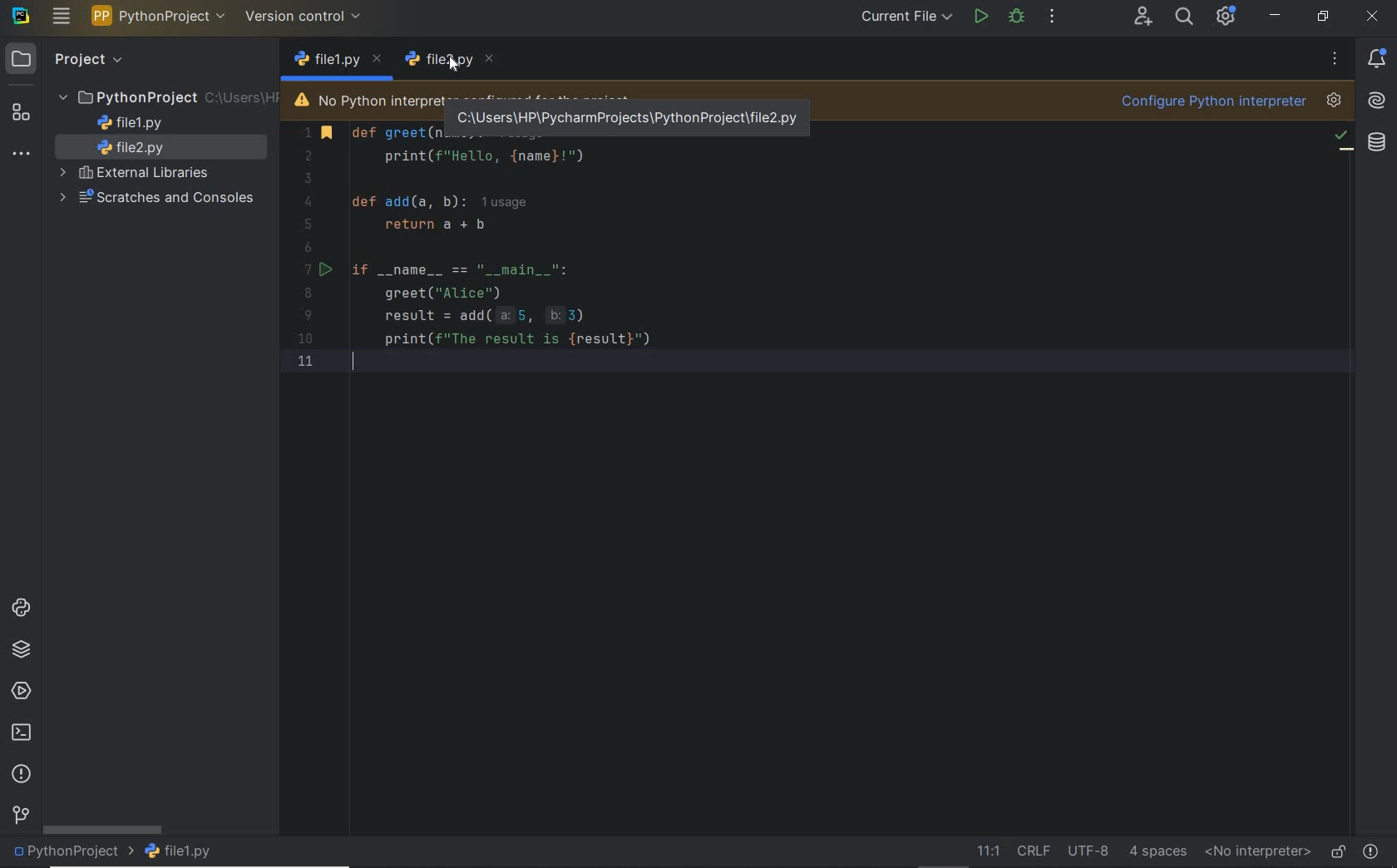 The height and width of the screenshot is (868, 1397). I want to click on minimize, so click(1275, 16).